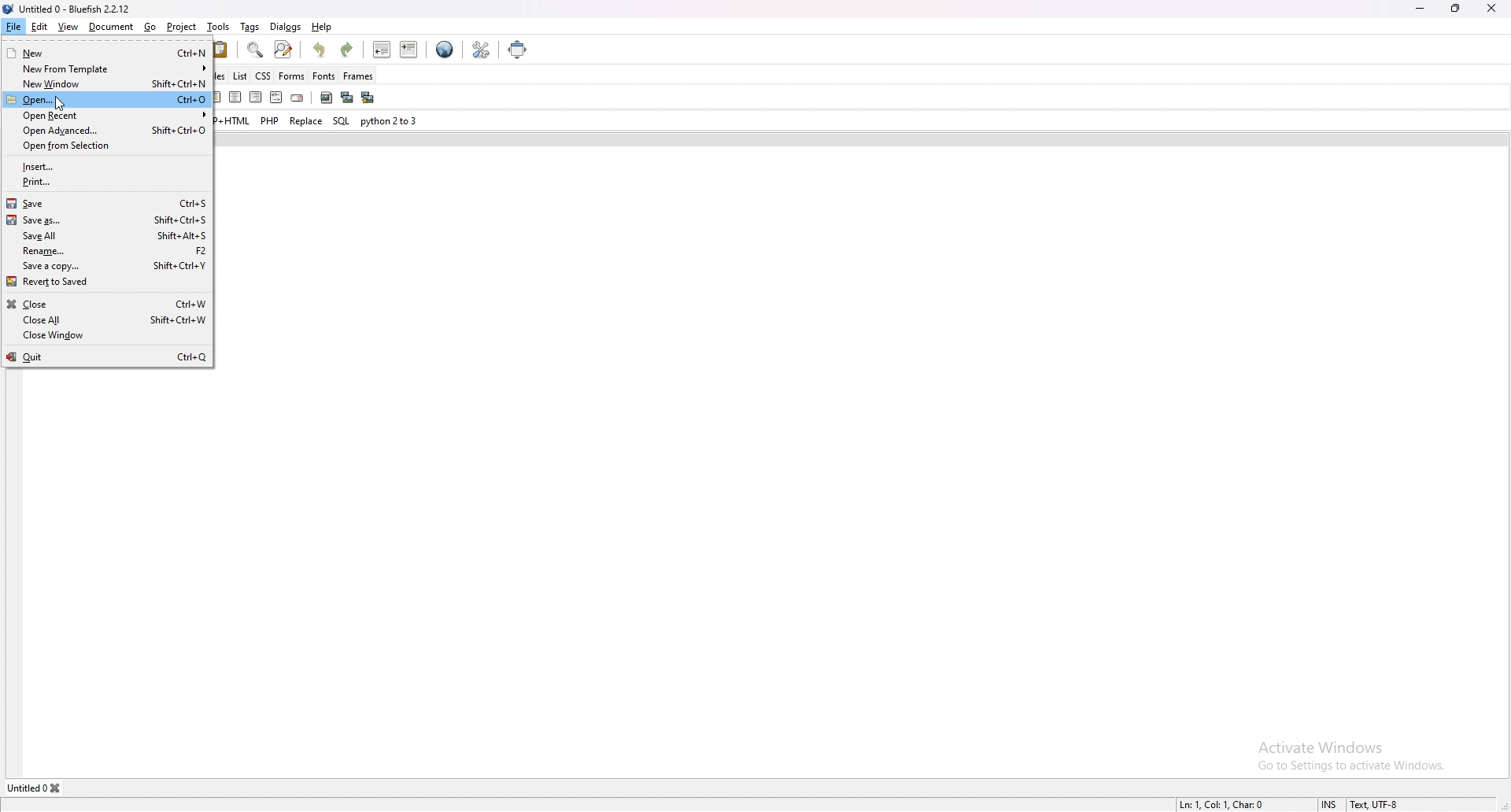 The width and height of the screenshot is (1511, 812). What do you see at coordinates (55, 201) in the screenshot?
I see `save` at bounding box center [55, 201].